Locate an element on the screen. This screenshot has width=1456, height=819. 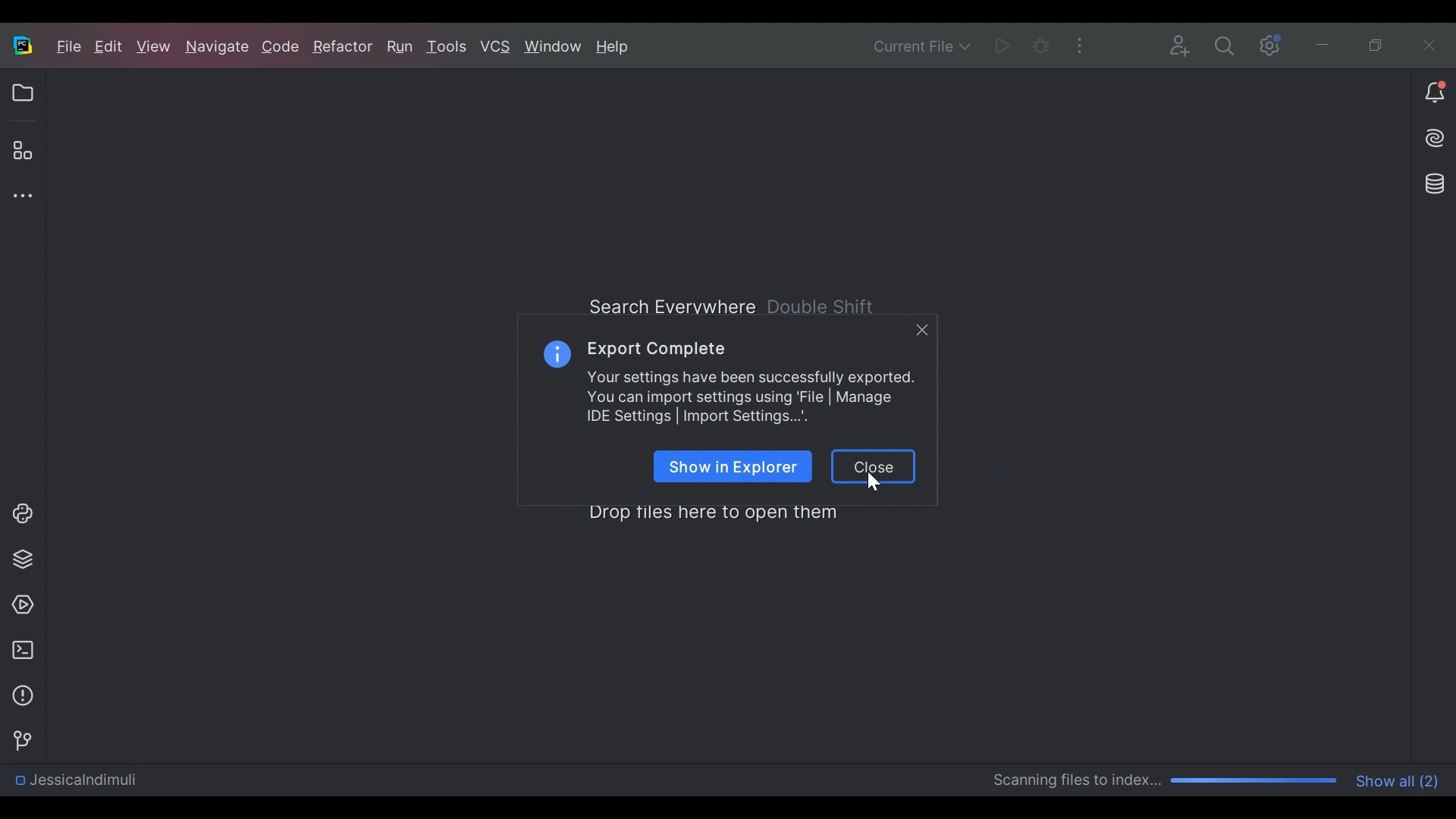
More is located at coordinates (1078, 43).